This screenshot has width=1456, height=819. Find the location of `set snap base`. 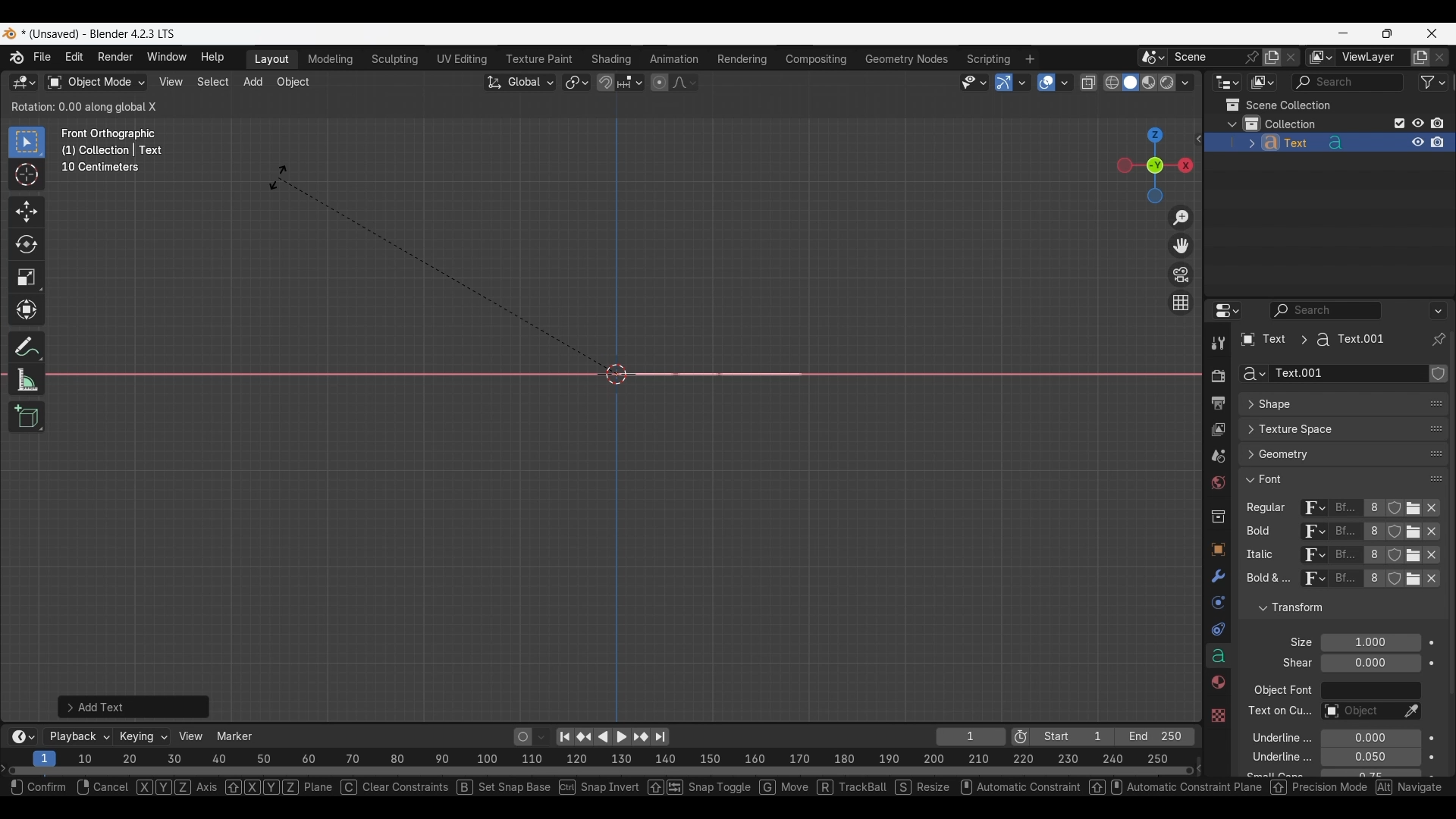

set snap base is located at coordinates (504, 789).